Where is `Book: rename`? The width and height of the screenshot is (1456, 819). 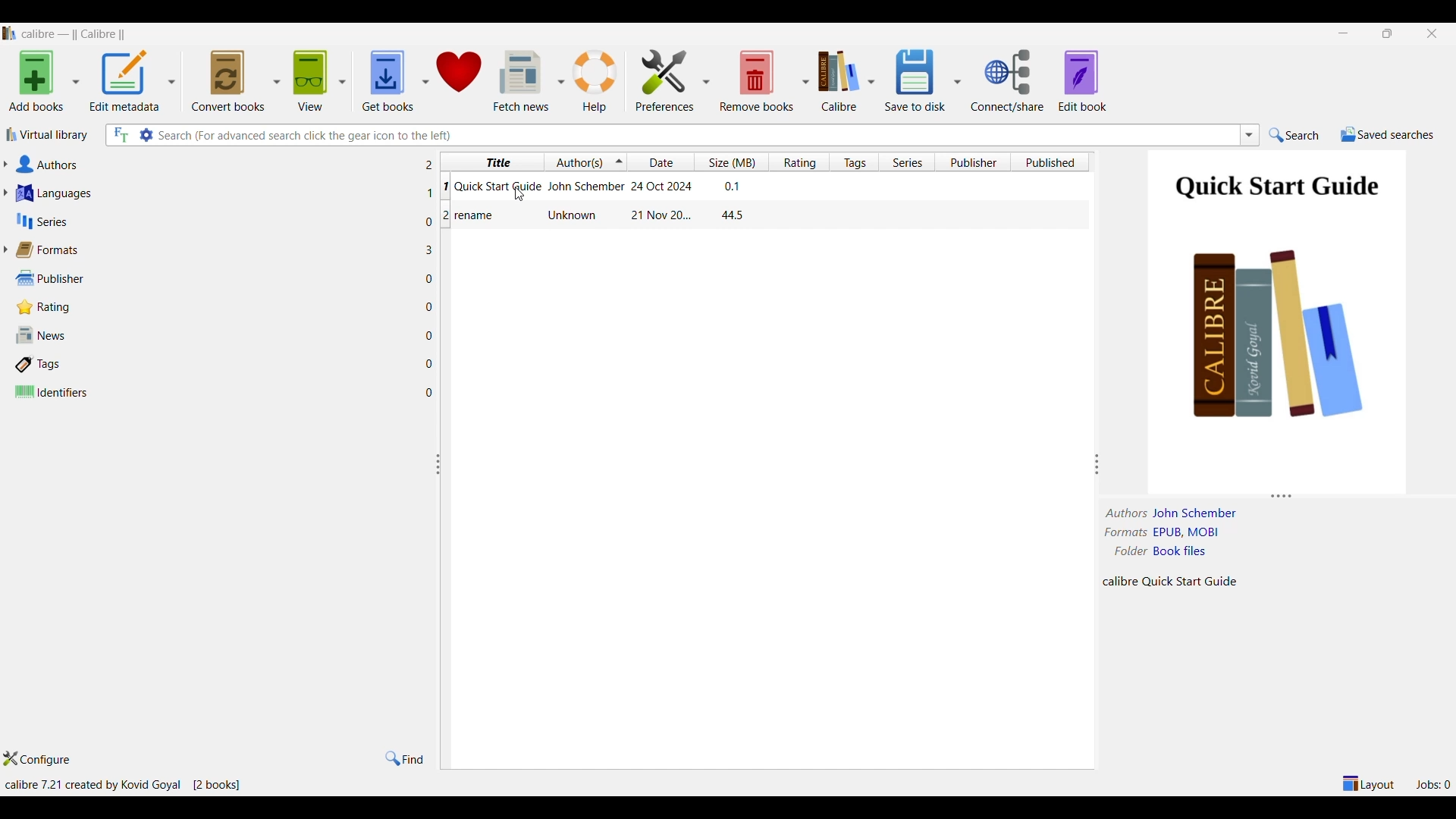 Book: rename is located at coordinates (597, 217).